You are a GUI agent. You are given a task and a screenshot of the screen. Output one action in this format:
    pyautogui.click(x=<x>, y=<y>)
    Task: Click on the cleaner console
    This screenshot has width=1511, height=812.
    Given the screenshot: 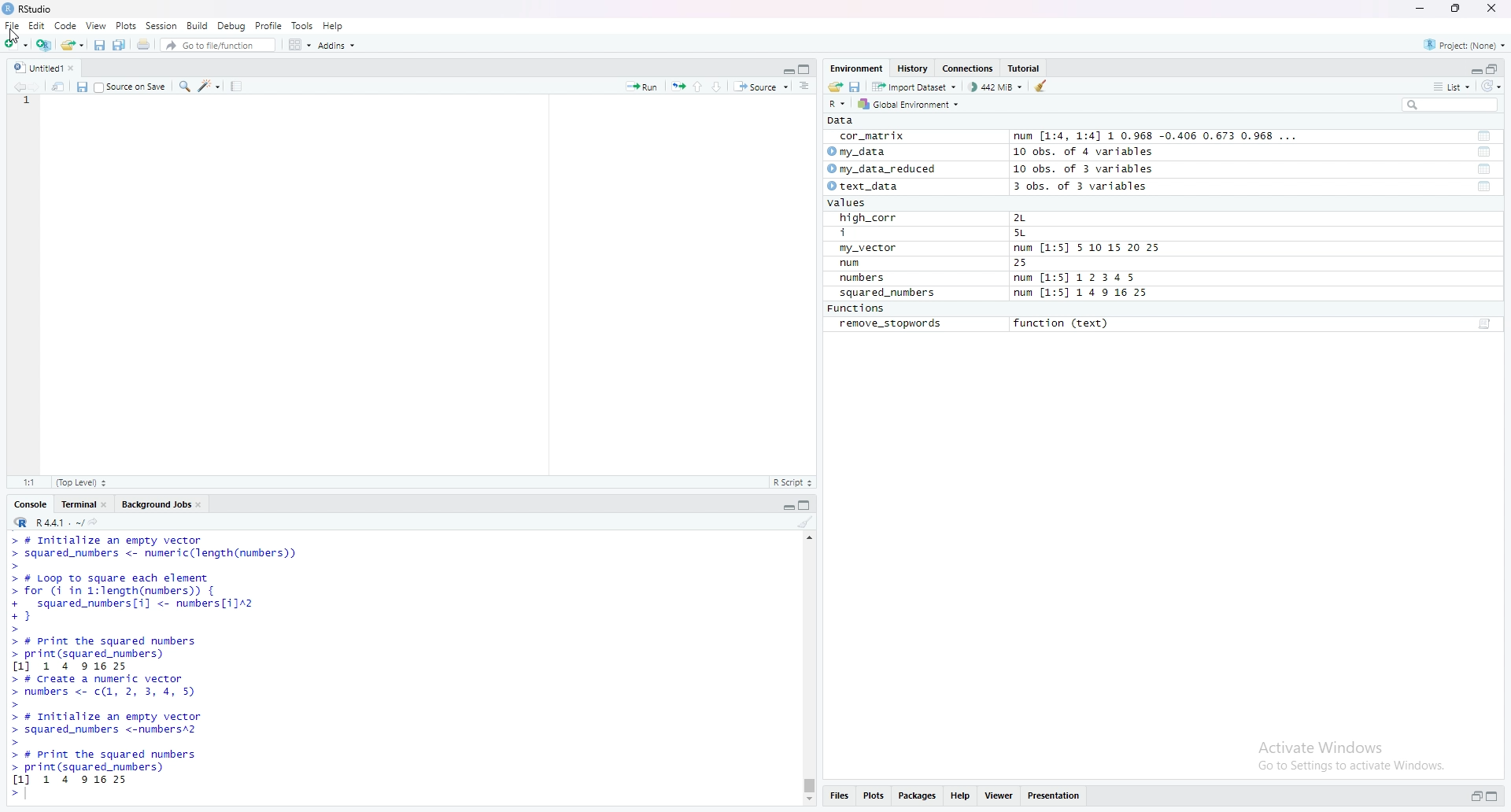 What is the action you would take?
    pyautogui.click(x=804, y=522)
    